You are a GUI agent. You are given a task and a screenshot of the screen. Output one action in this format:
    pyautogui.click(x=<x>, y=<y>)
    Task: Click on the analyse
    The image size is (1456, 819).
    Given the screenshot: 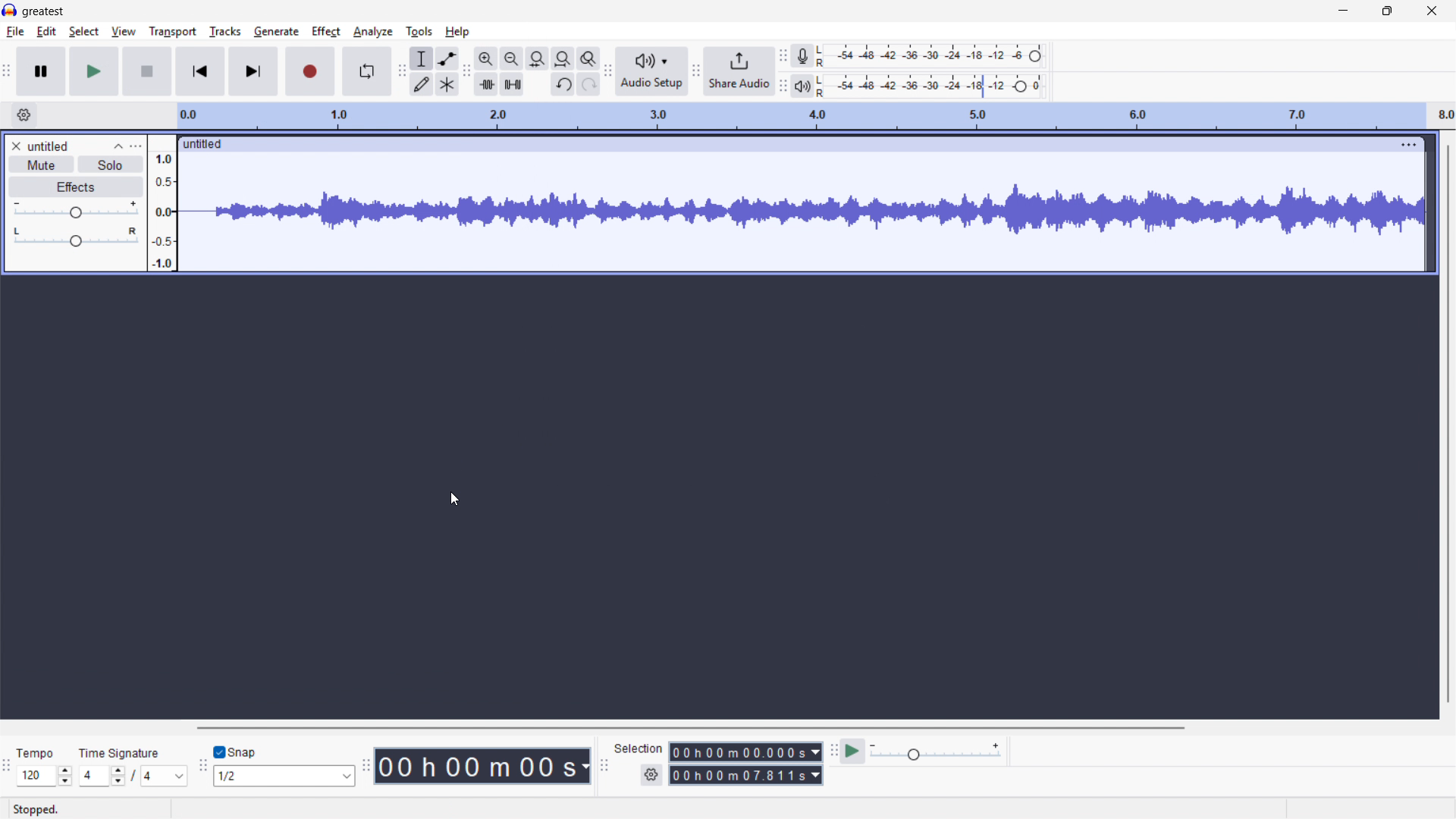 What is the action you would take?
    pyautogui.click(x=373, y=32)
    